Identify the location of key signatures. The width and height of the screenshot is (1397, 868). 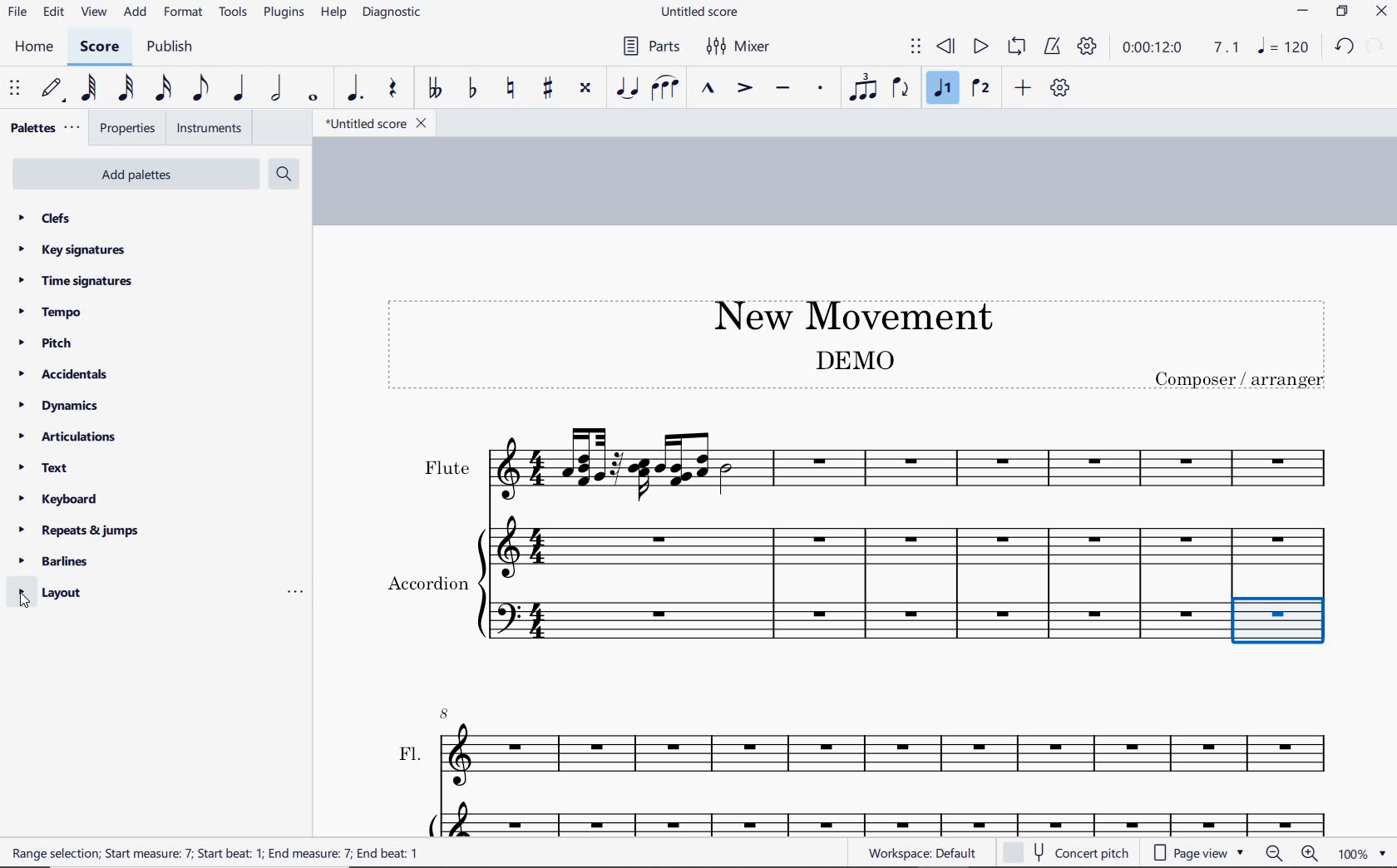
(71, 249).